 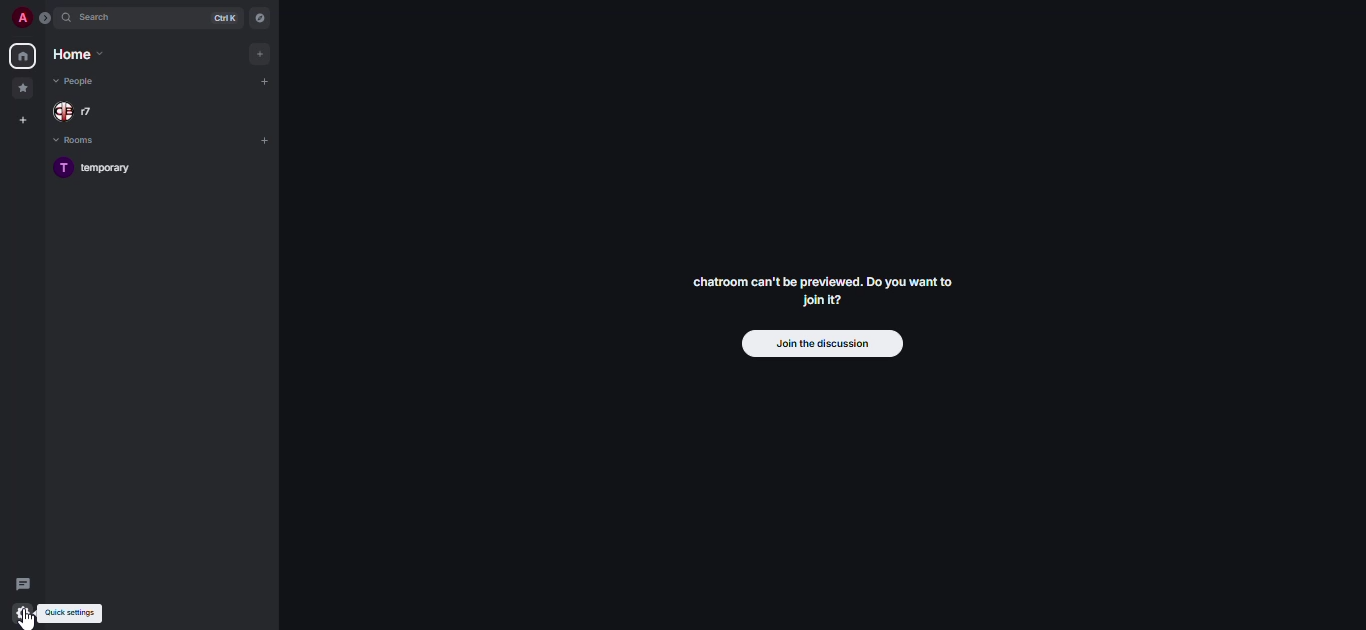 I want to click on expand, so click(x=42, y=18).